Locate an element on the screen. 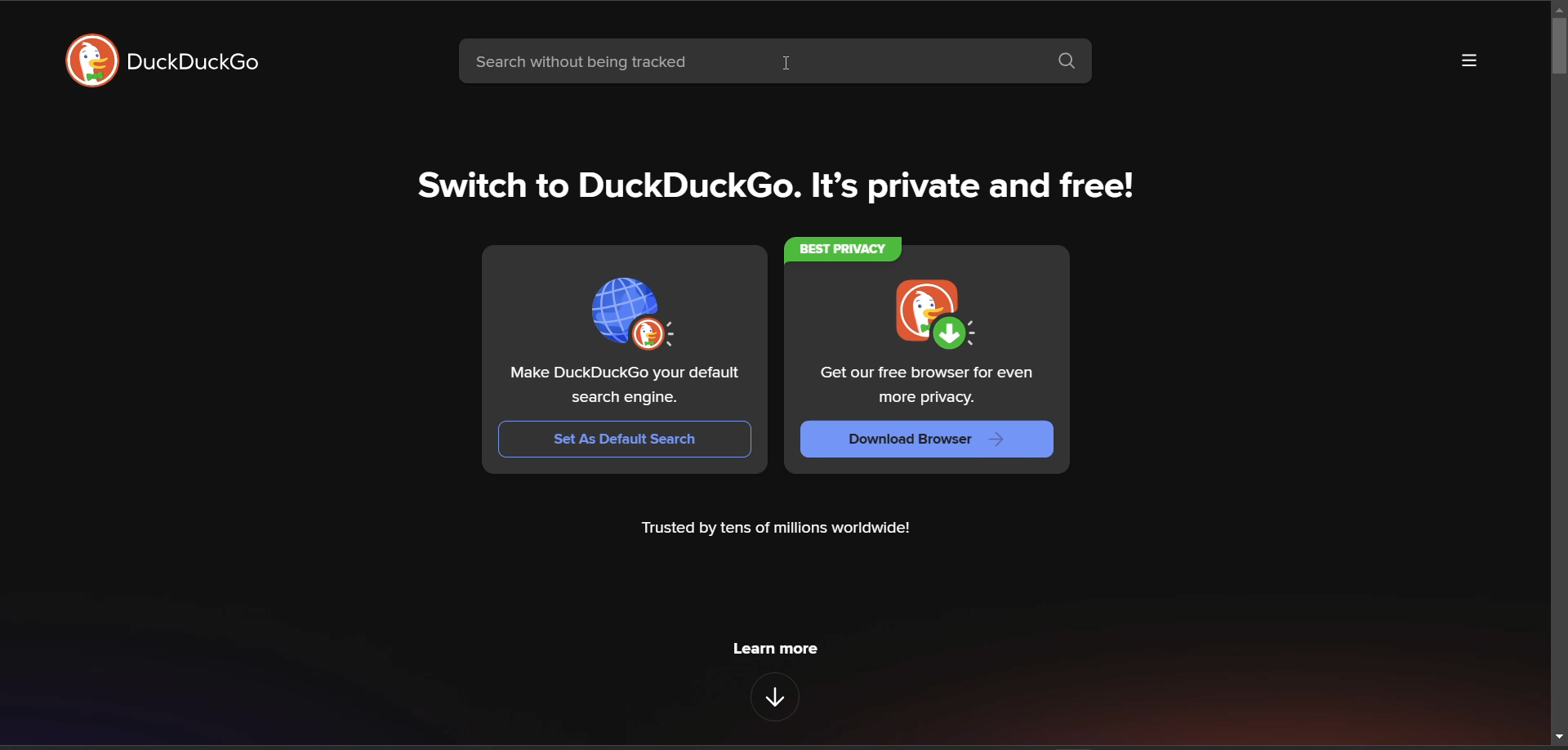 Image resolution: width=1568 pixels, height=750 pixels. Switch to DuckDuckGo. It’s private and free! is located at coordinates (779, 186).